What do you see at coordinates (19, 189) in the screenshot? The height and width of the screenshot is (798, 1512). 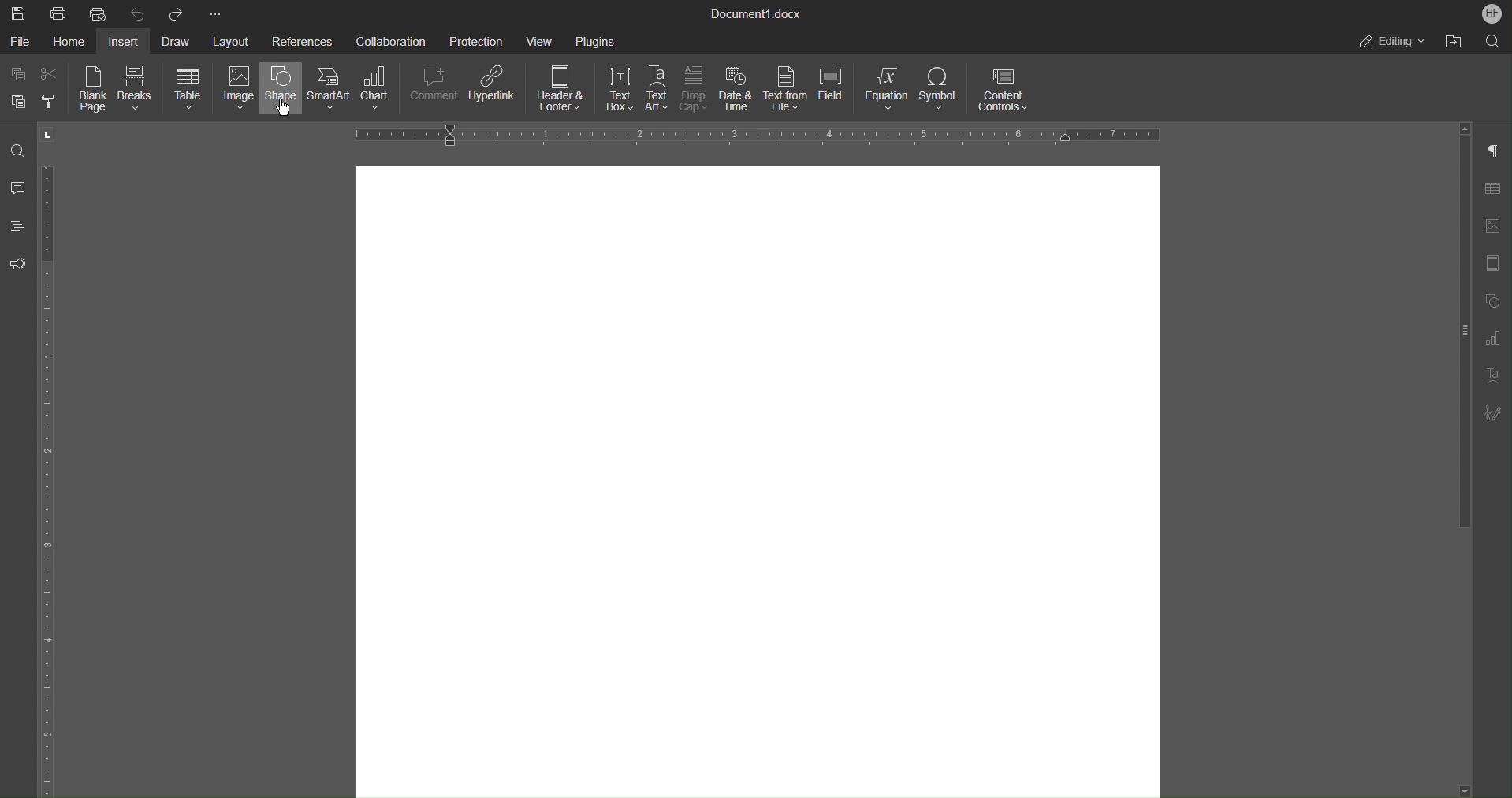 I see `Comments` at bounding box center [19, 189].